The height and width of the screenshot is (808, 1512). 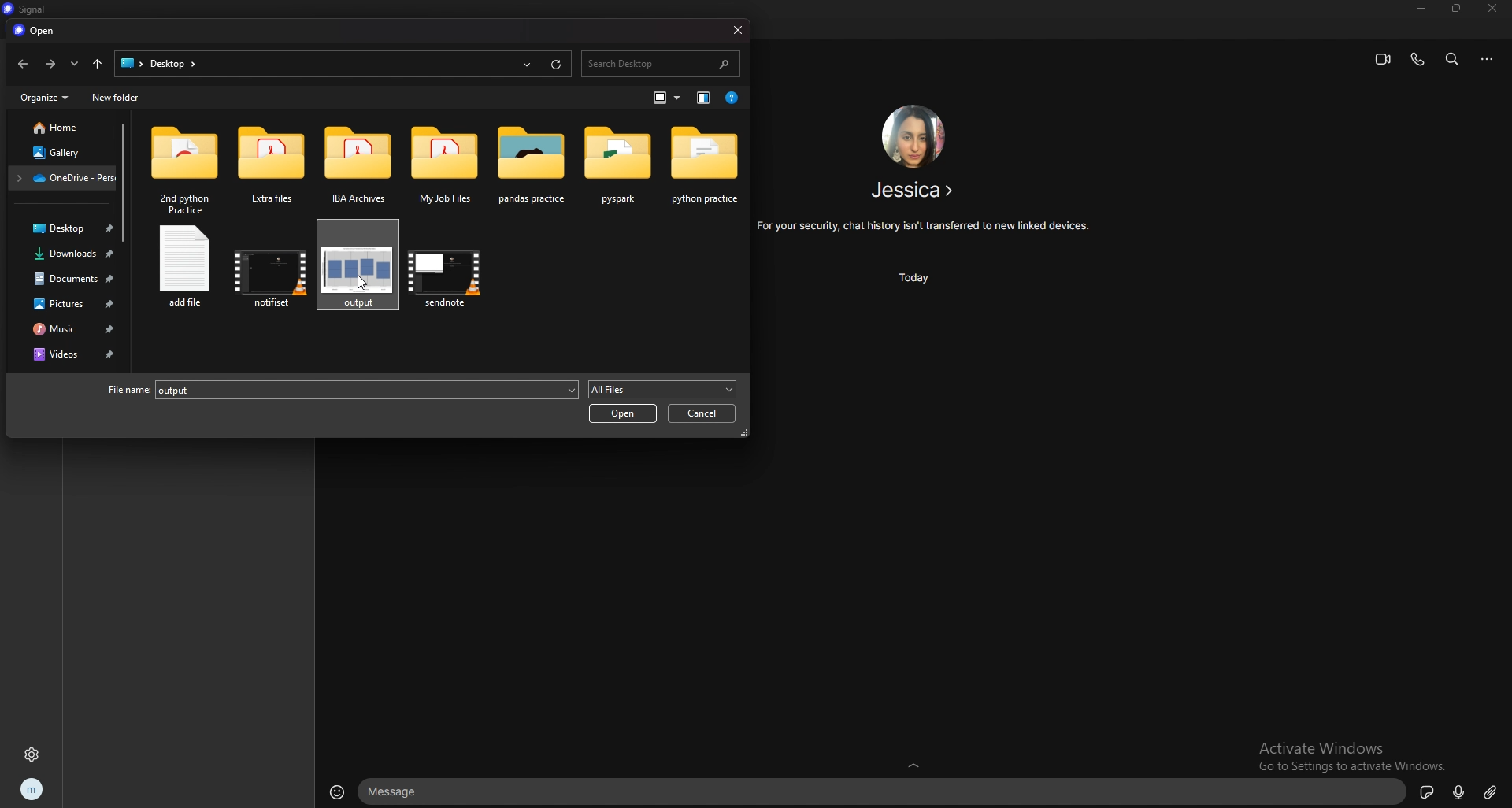 I want to click on cancel, so click(x=704, y=413).